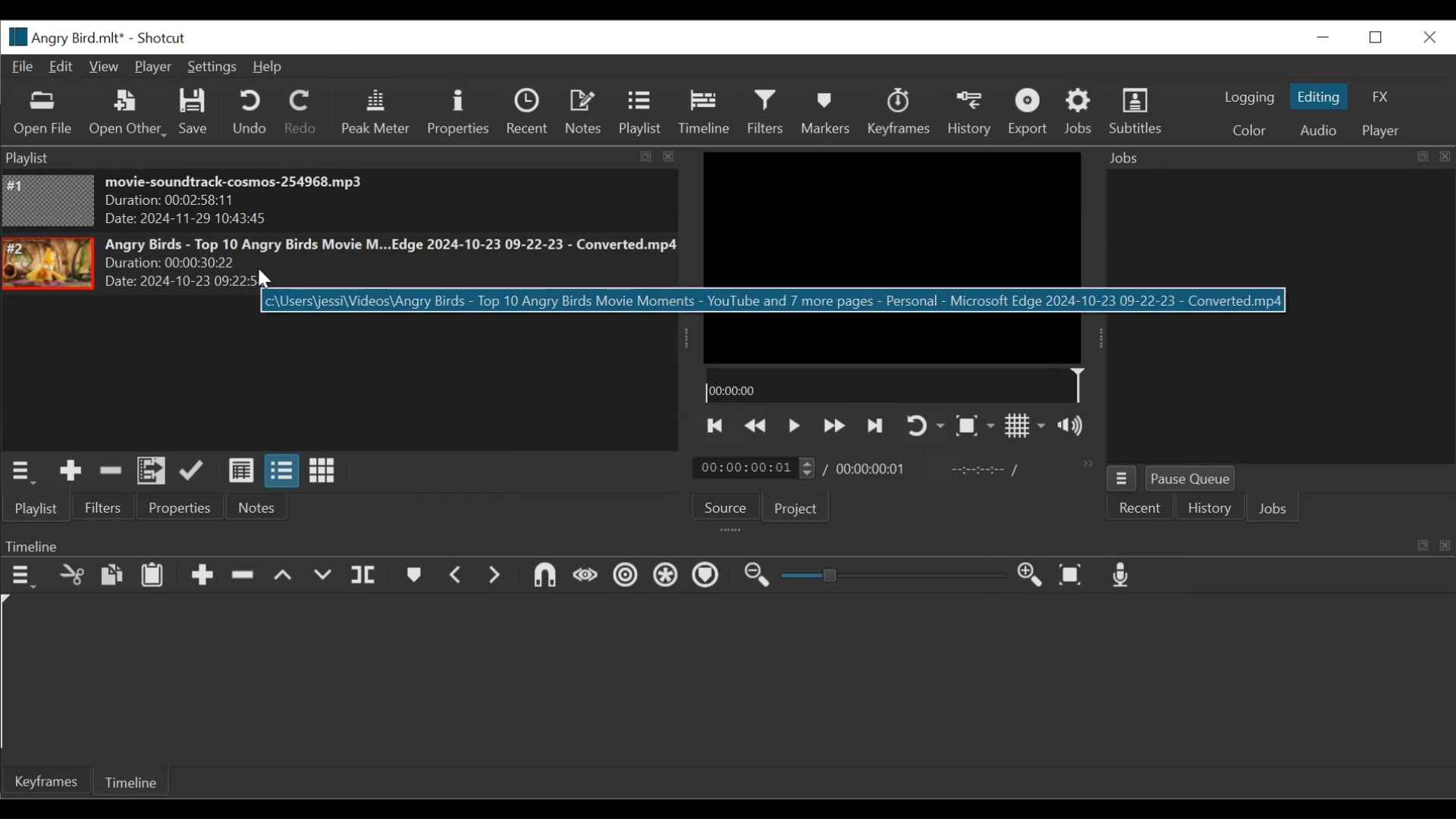  What do you see at coordinates (24, 66) in the screenshot?
I see `File` at bounding box center [24, 66].